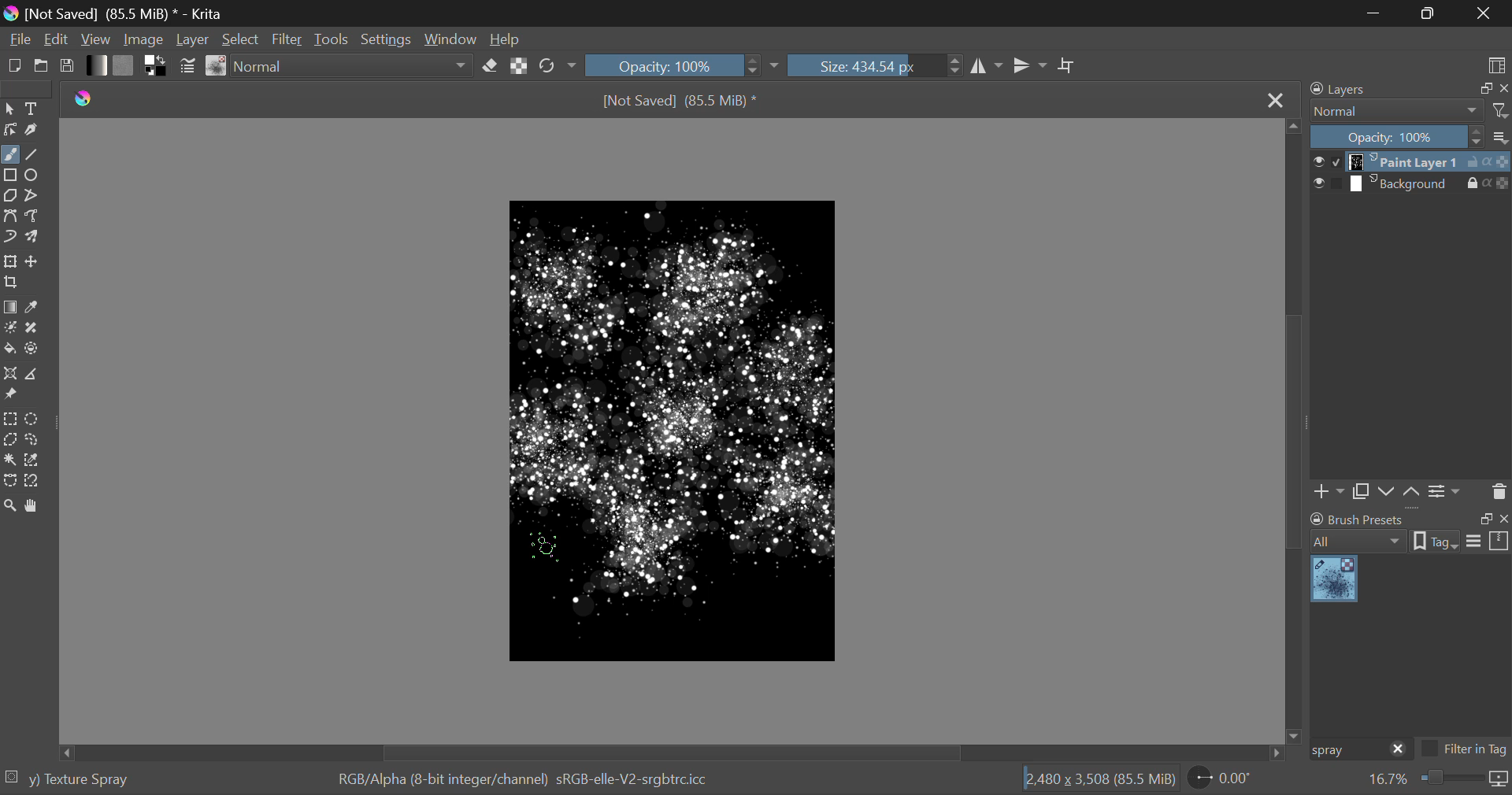 This screenshot has height=795, width=1512. Describe the element at coordinates (11, 482) in the screenshot. I see `Bezier Curve Selection` at that location.